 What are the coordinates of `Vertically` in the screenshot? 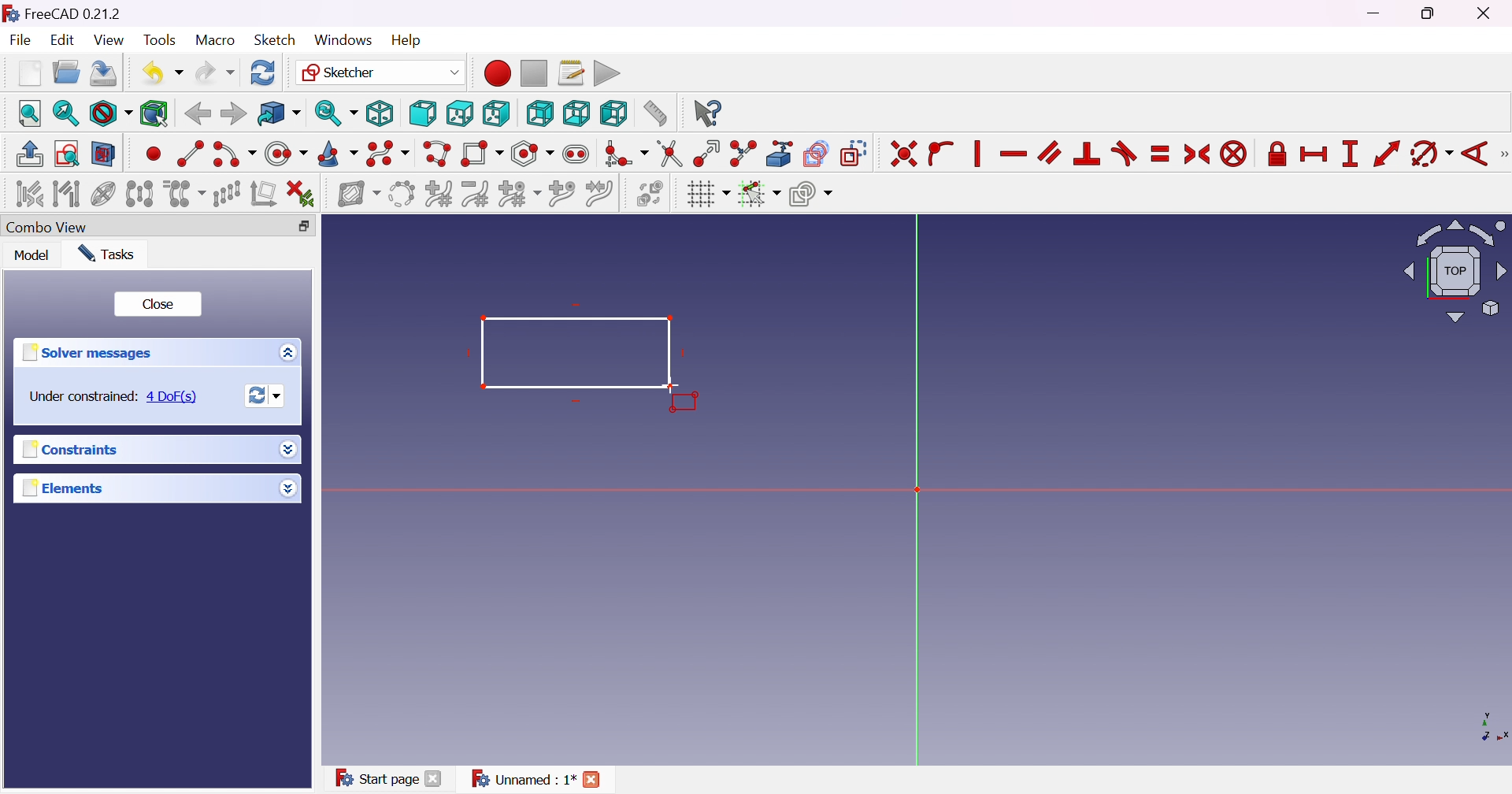 It's located at (976, 154).